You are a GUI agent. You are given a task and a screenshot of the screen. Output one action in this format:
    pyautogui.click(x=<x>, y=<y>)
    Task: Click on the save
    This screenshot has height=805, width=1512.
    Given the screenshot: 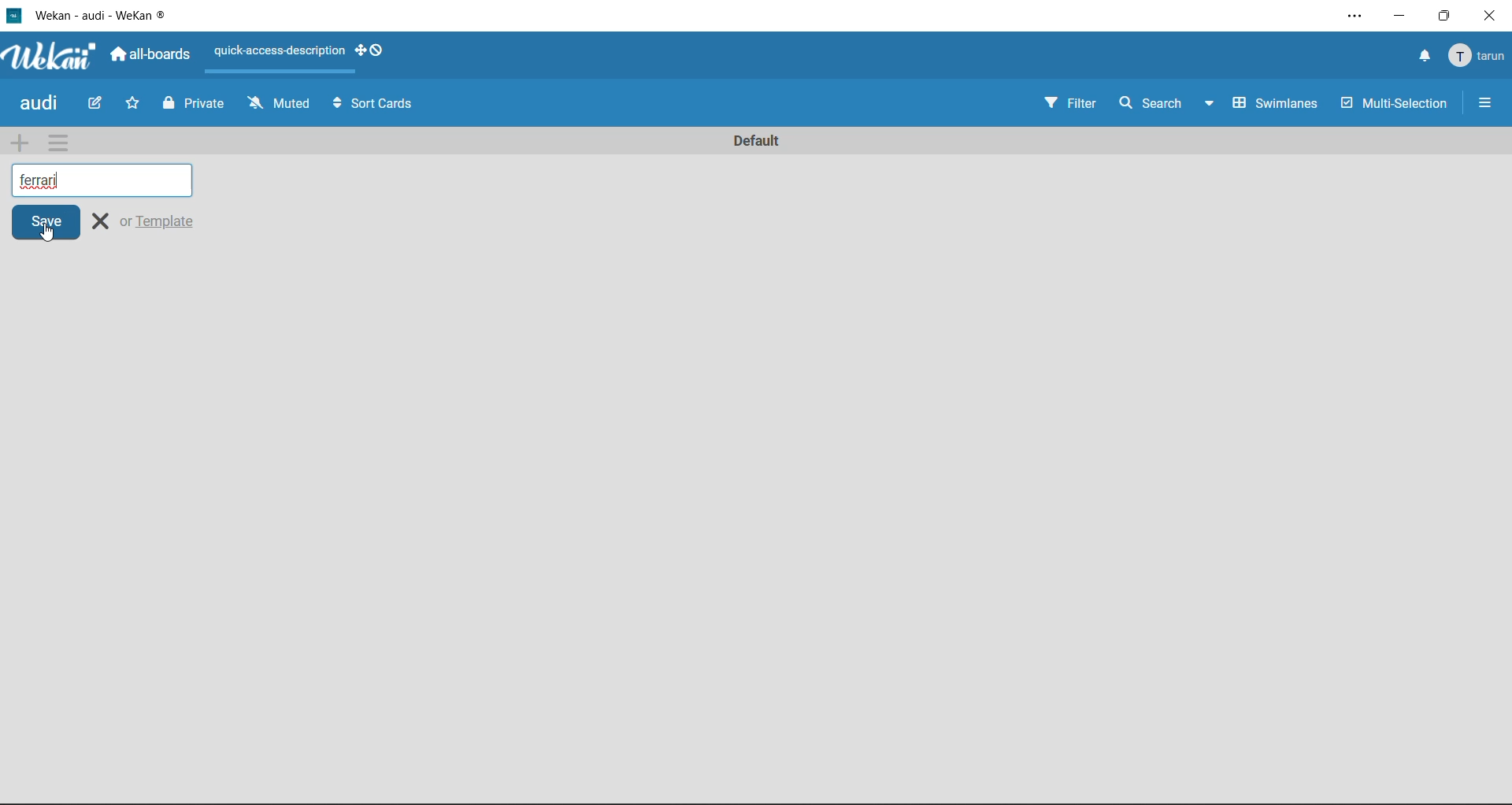 What is the action you would take?
    pyautogui.click(x=45, y=223)
    